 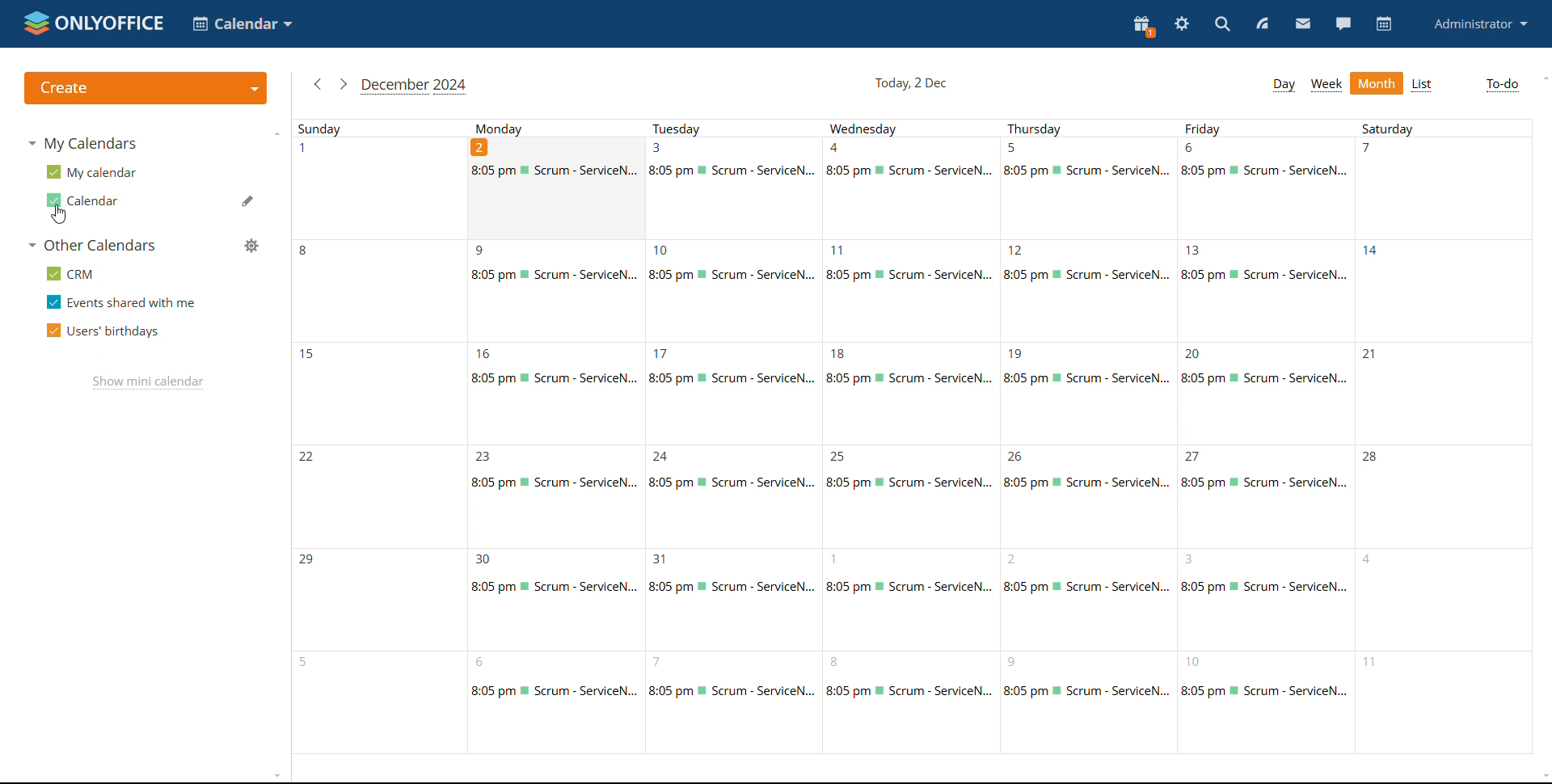 What do you see at coordinates (1263, 599) in the screenshot?
I see `3` at bounding box center [1263, 599].